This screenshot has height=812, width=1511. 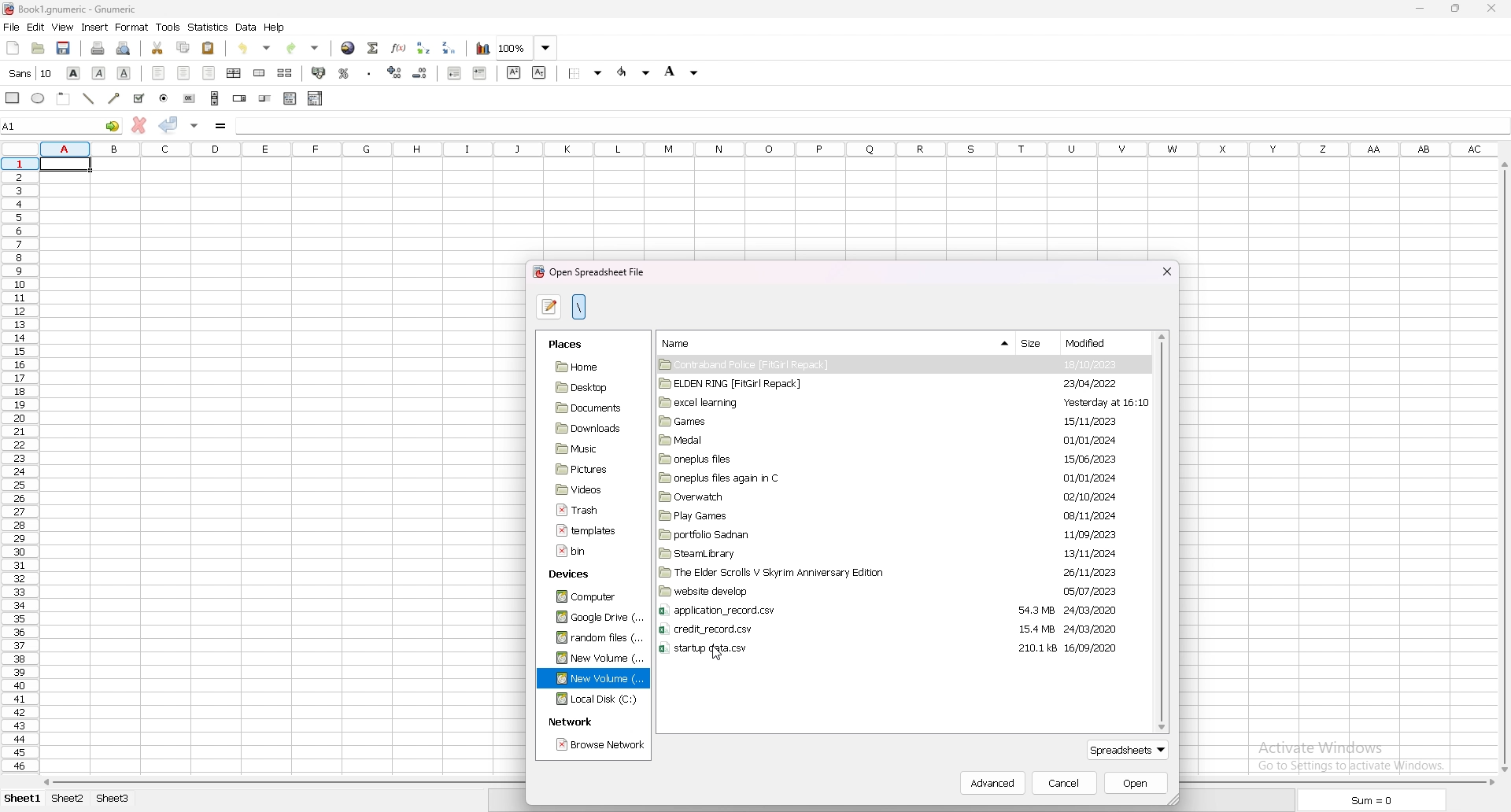 I want to click on folder, so click(x=753, y=591).